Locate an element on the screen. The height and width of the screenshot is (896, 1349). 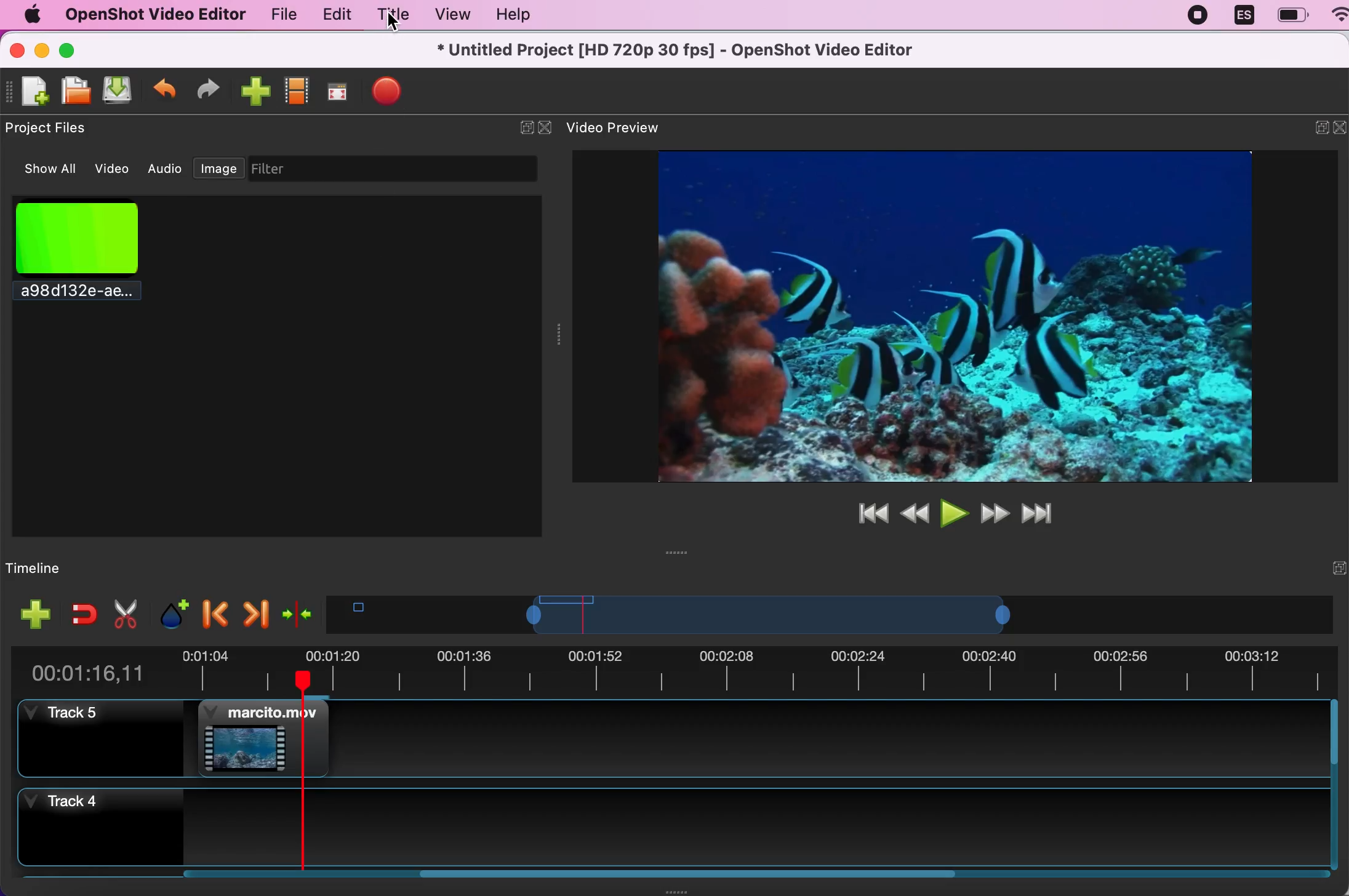
add track is located at coordinates (33, 614).